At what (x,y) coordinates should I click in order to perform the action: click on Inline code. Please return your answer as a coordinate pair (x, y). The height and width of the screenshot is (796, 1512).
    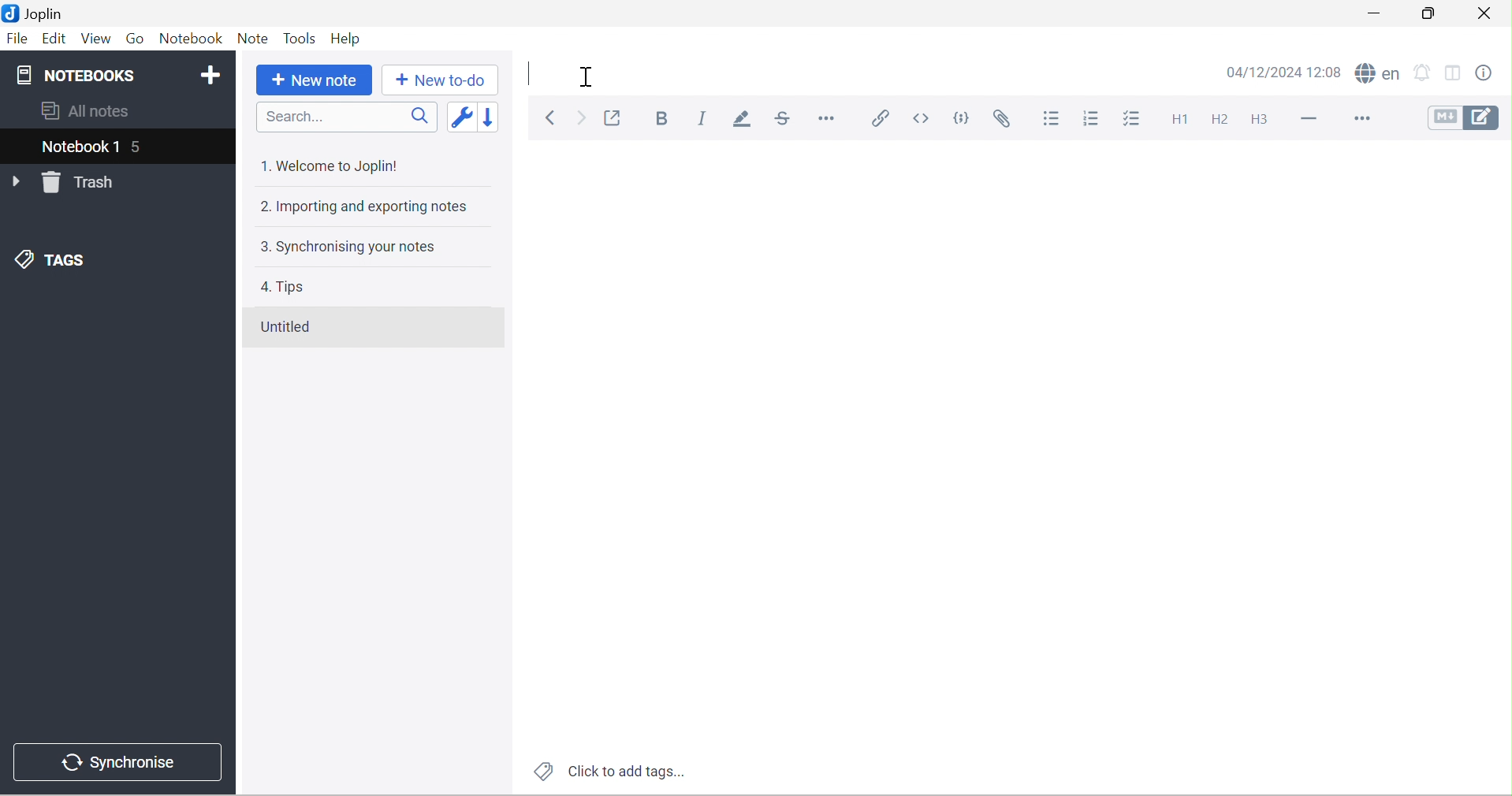
    Looking at the image, I should click on (925, 118).